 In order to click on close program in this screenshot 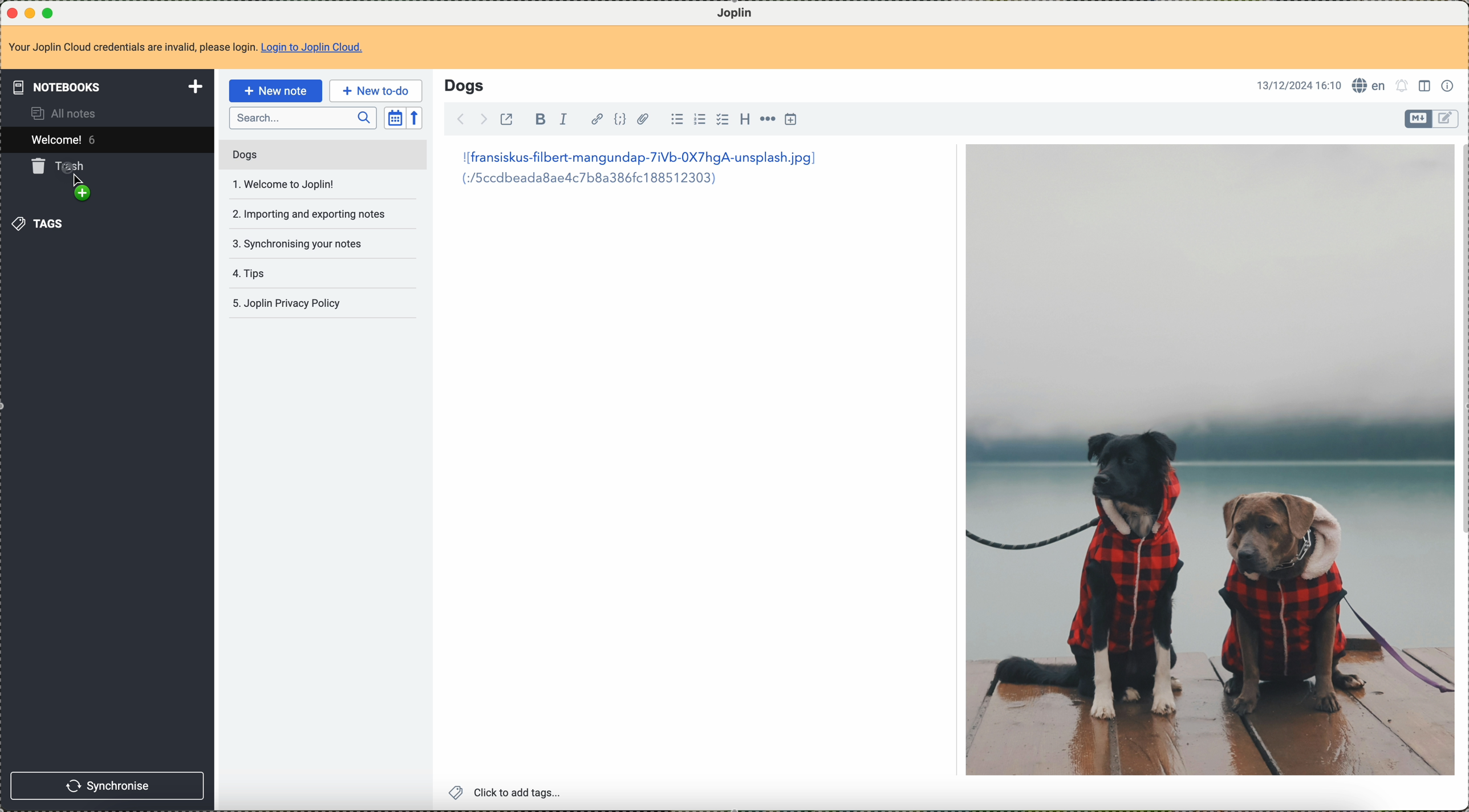, I will do `click(11, 11)`.